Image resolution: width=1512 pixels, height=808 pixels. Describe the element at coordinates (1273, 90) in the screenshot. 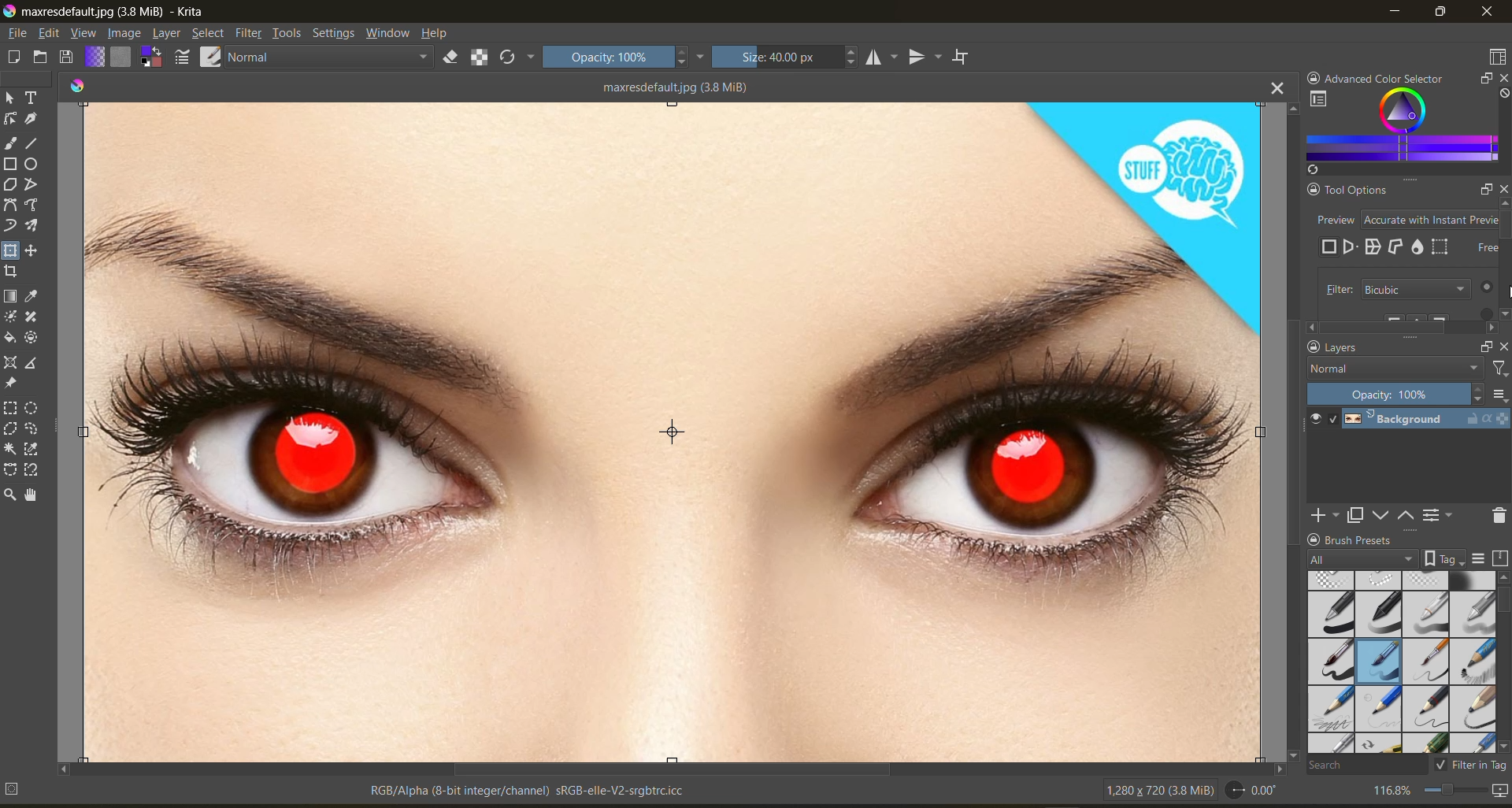

I see `close tab` at that location.